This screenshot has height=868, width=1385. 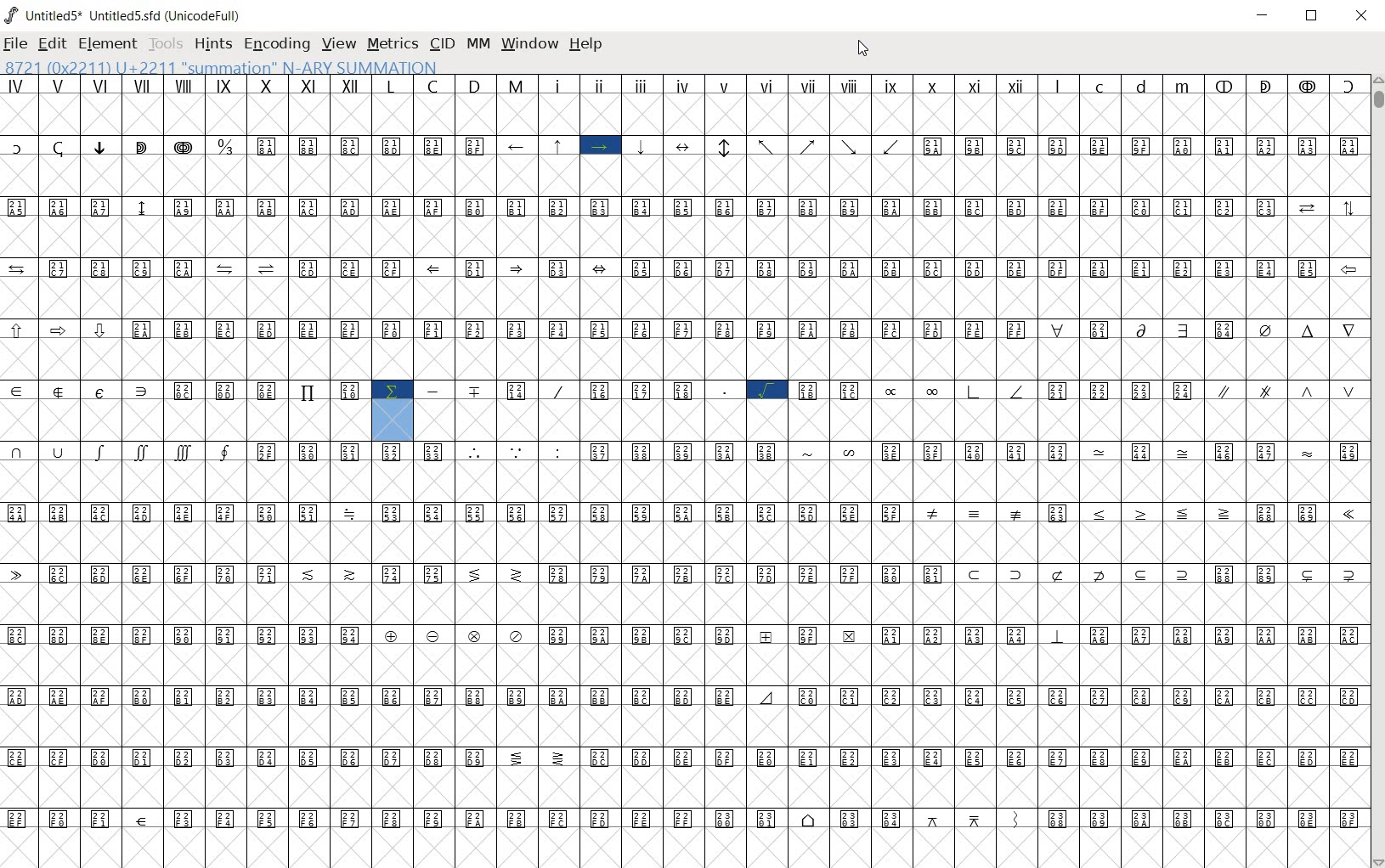 What do you see at coordinates (683, 573) in the screenshot?
I see `special symbols` at bounding box center [683, 573].